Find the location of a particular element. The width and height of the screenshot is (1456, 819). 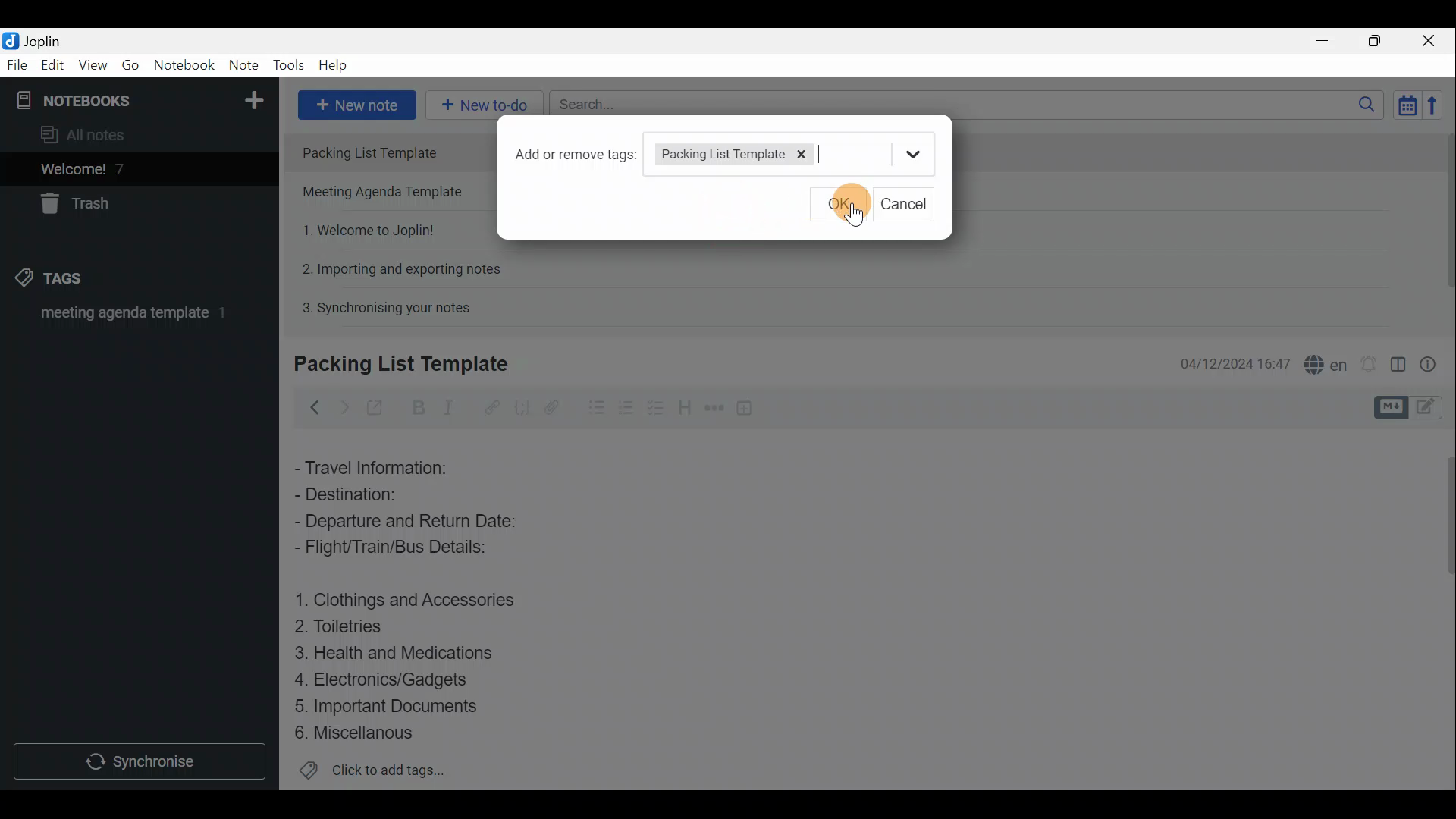

Bold is located at coordinates (416, 406).